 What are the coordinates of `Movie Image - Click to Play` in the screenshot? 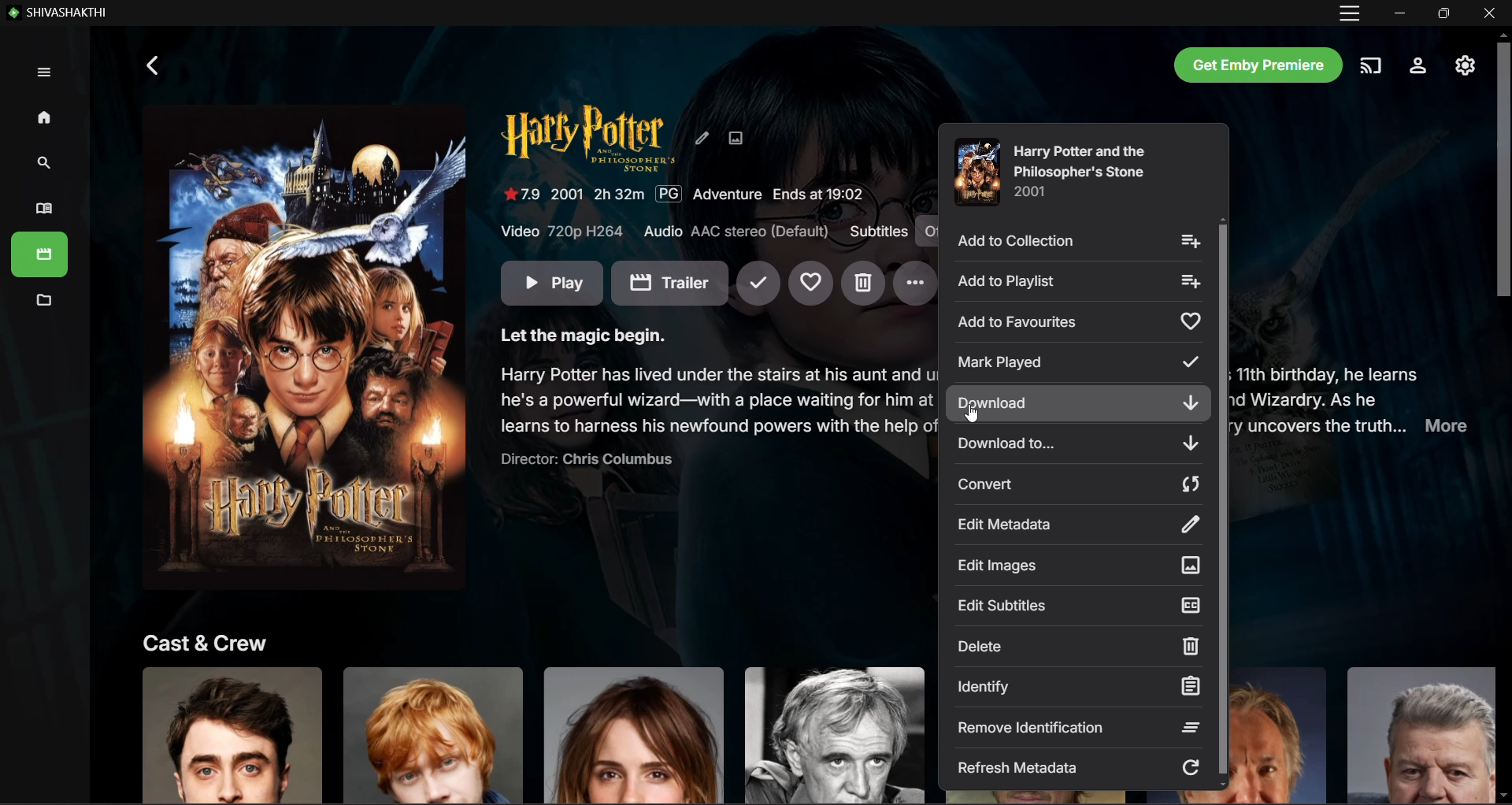 It's located at (305, 348).